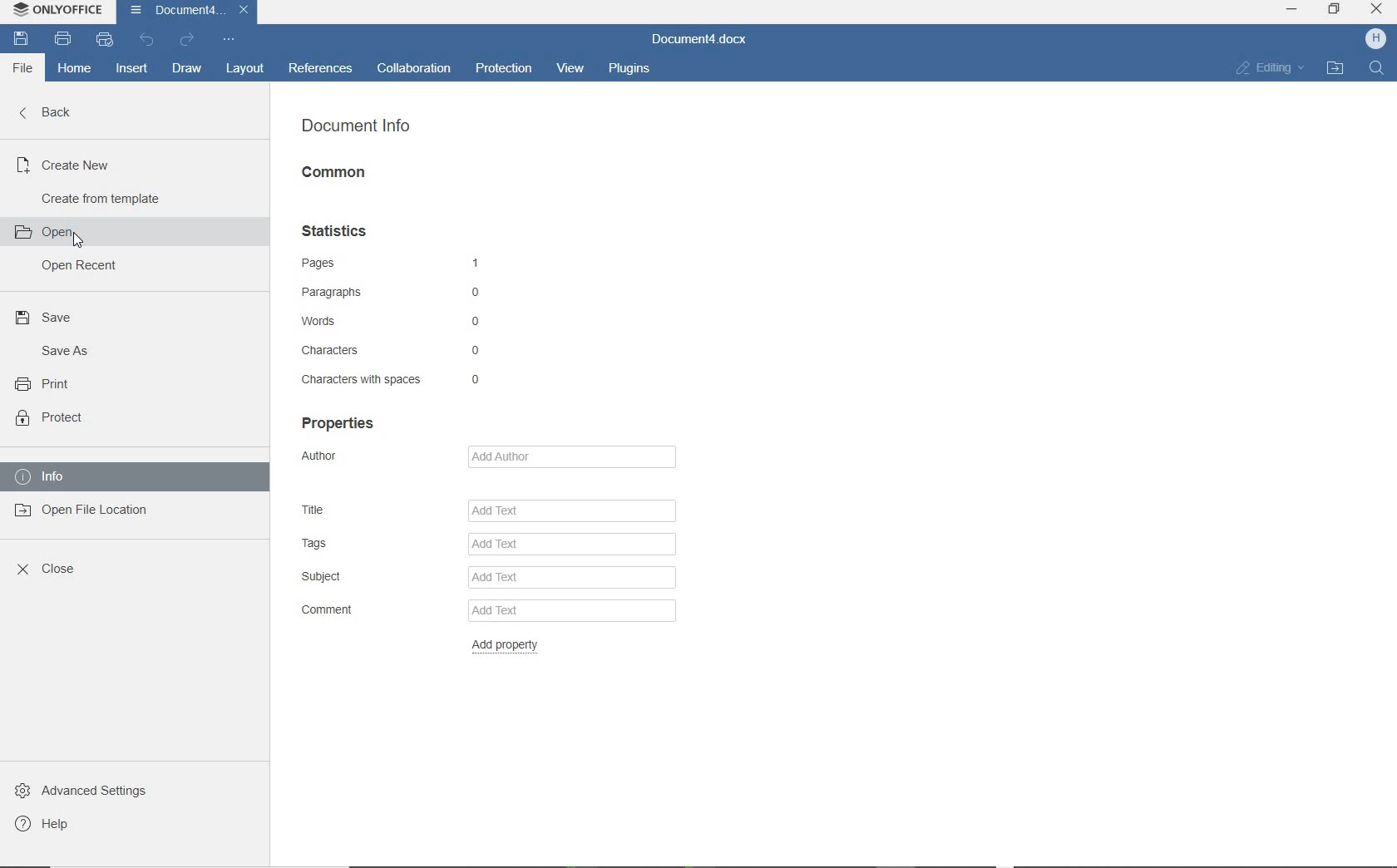 The height and width of the screenshot is (868, 1397). I want to click on Help, so click(47, 824).